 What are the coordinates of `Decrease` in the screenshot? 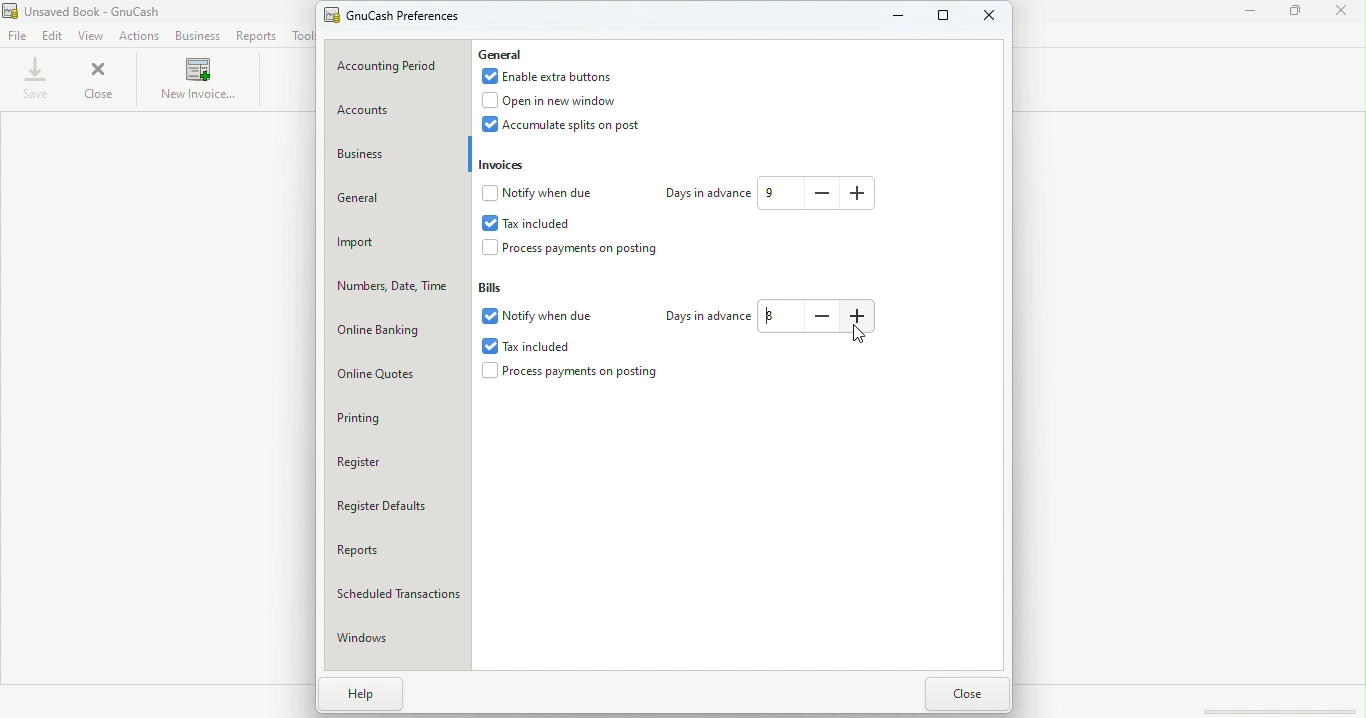 It's located at (826, 318).